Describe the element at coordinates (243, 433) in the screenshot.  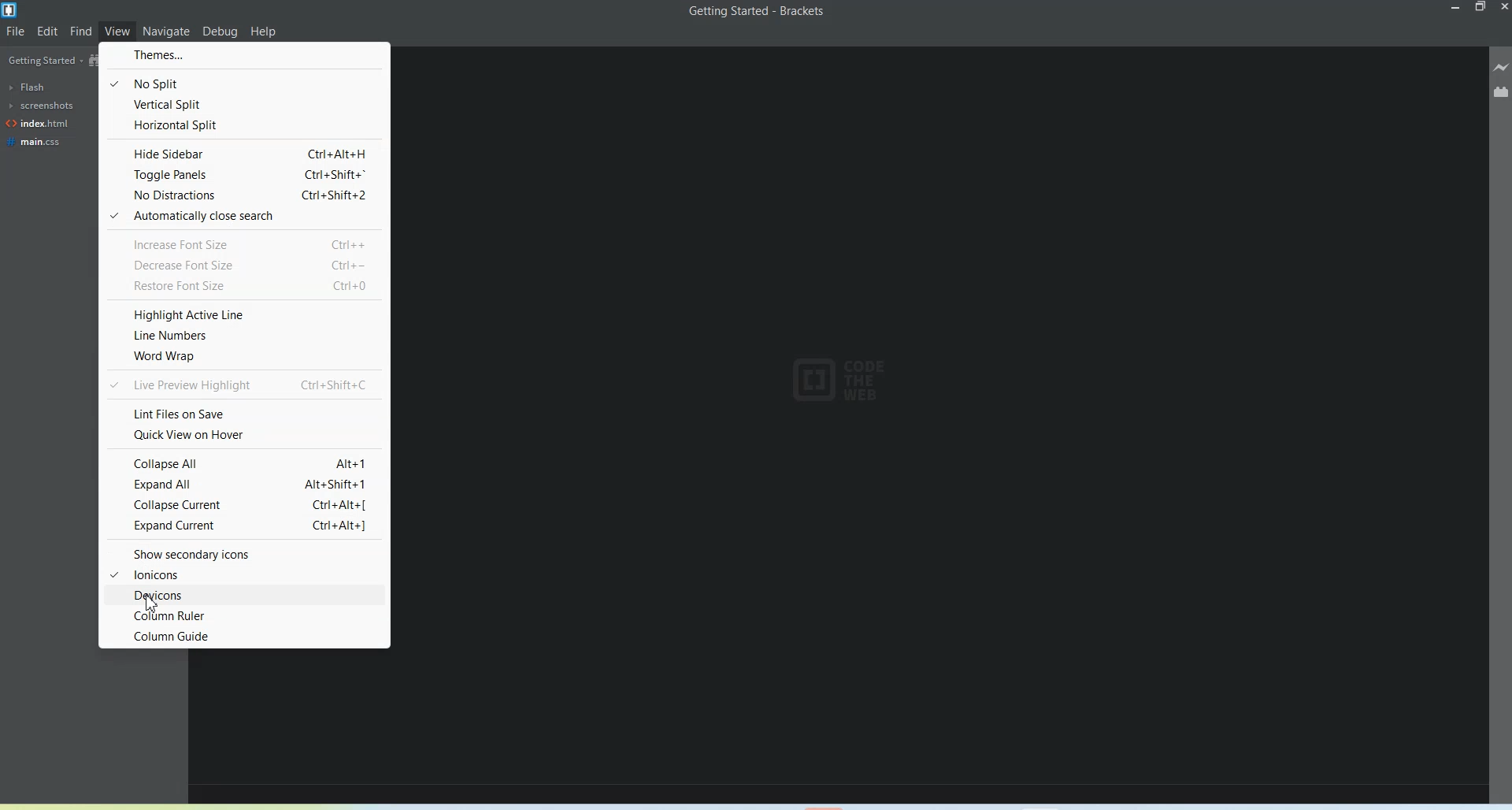
I see `Quick view on Hover` at that location.